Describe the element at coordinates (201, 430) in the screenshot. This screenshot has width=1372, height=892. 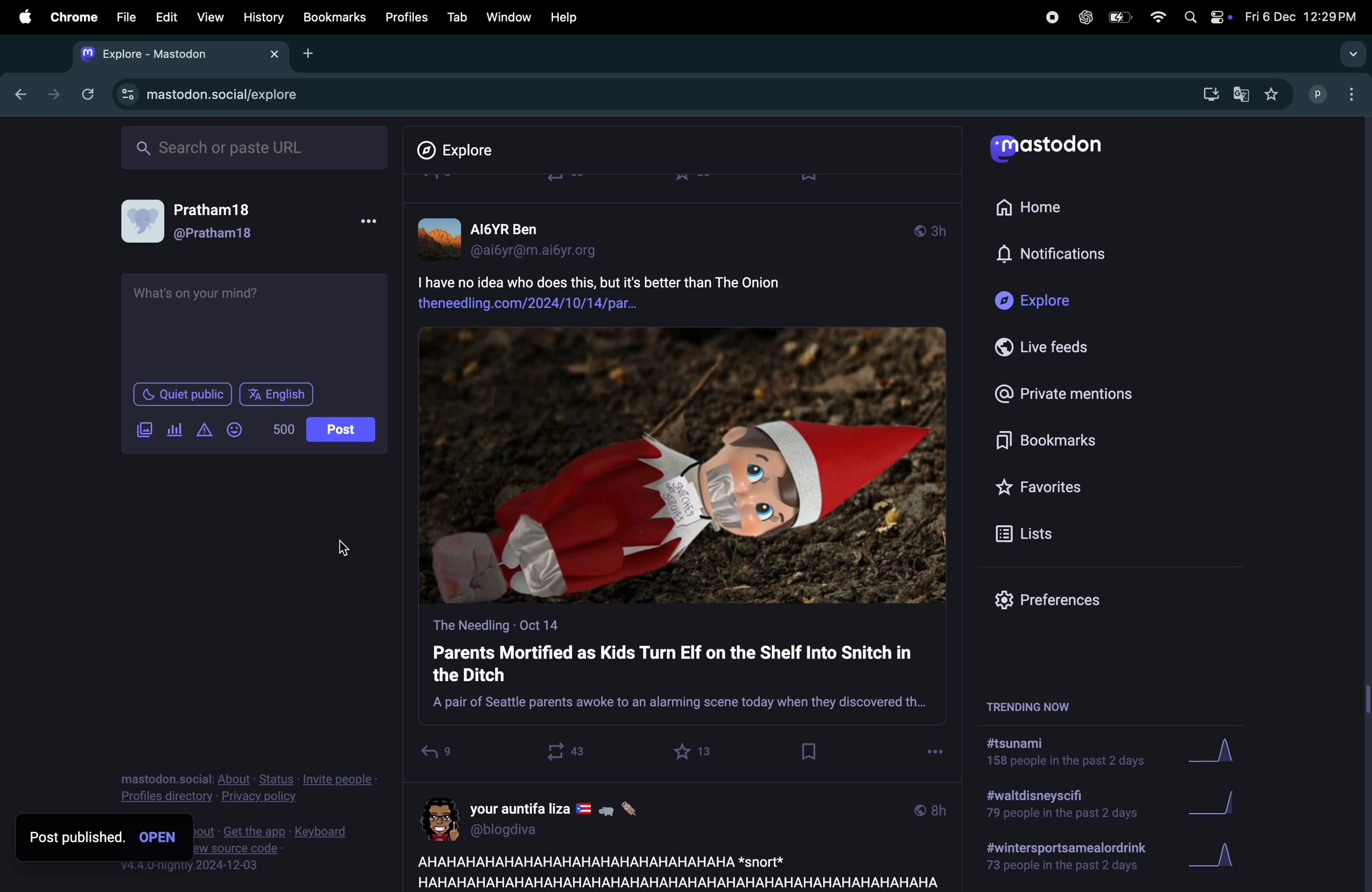
I see `add alert` at that location.